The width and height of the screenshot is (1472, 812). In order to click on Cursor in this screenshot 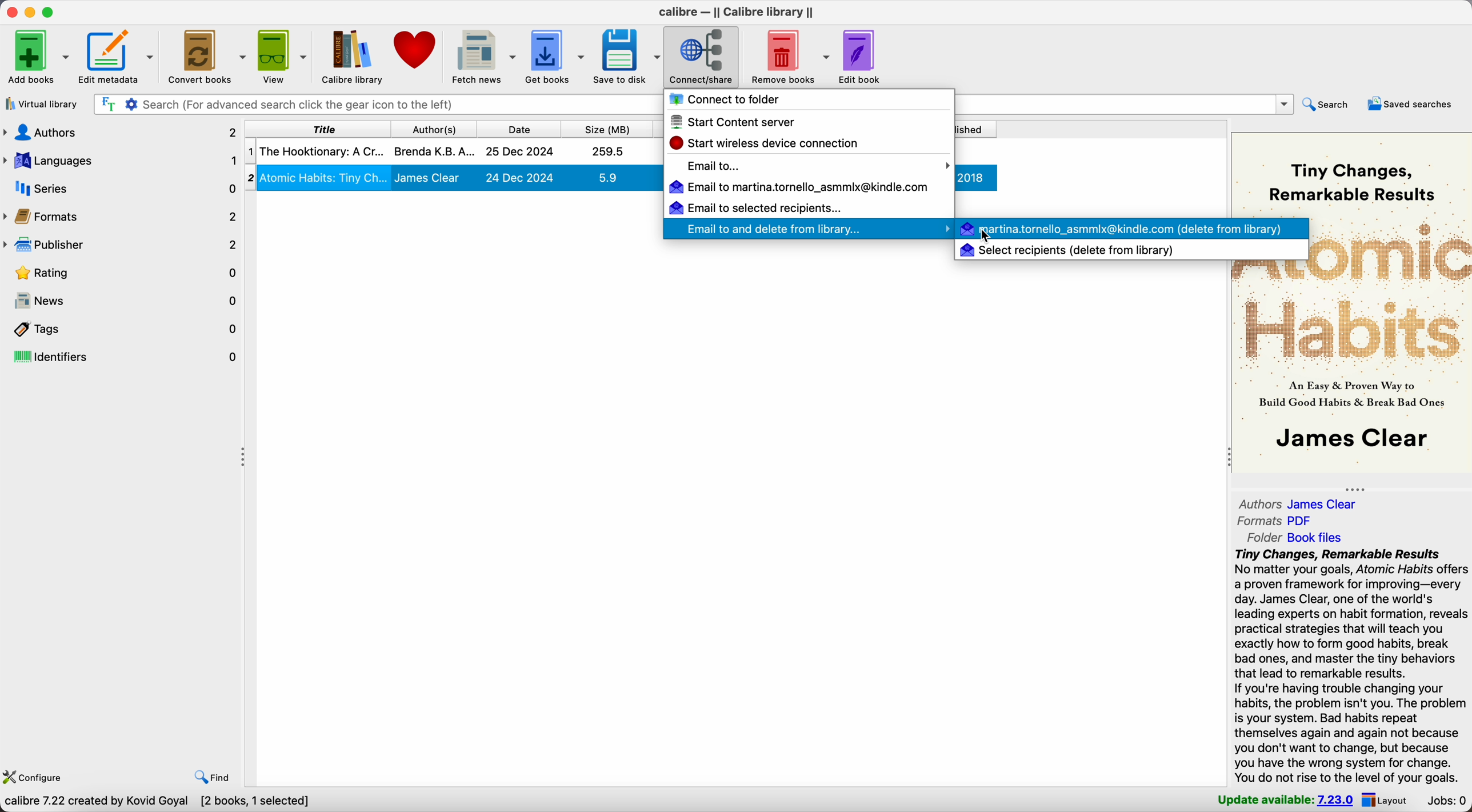, I will do `click(987, 237)`.